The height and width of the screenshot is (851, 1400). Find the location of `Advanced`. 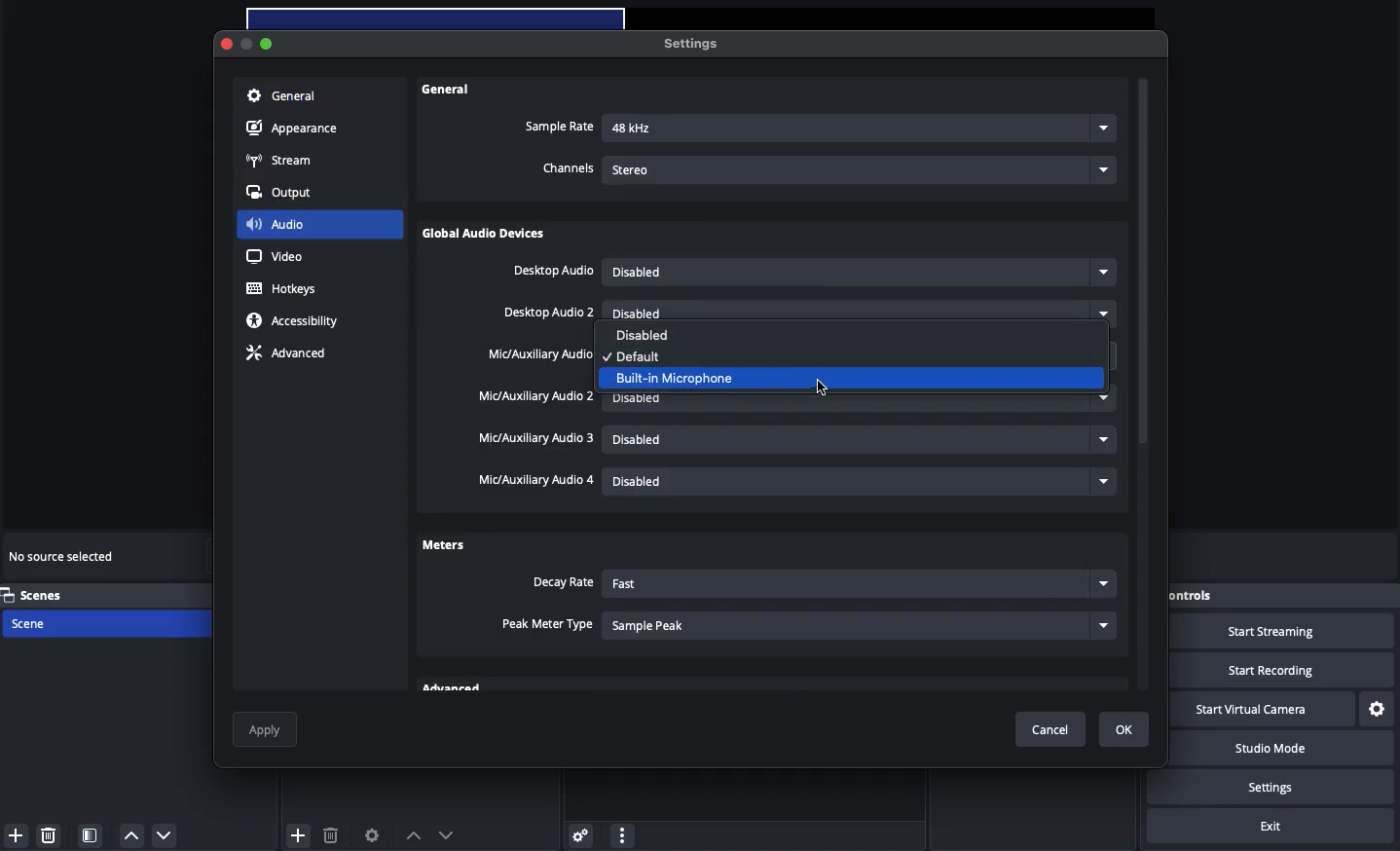

Advanced is located at coordinates (284, 355).